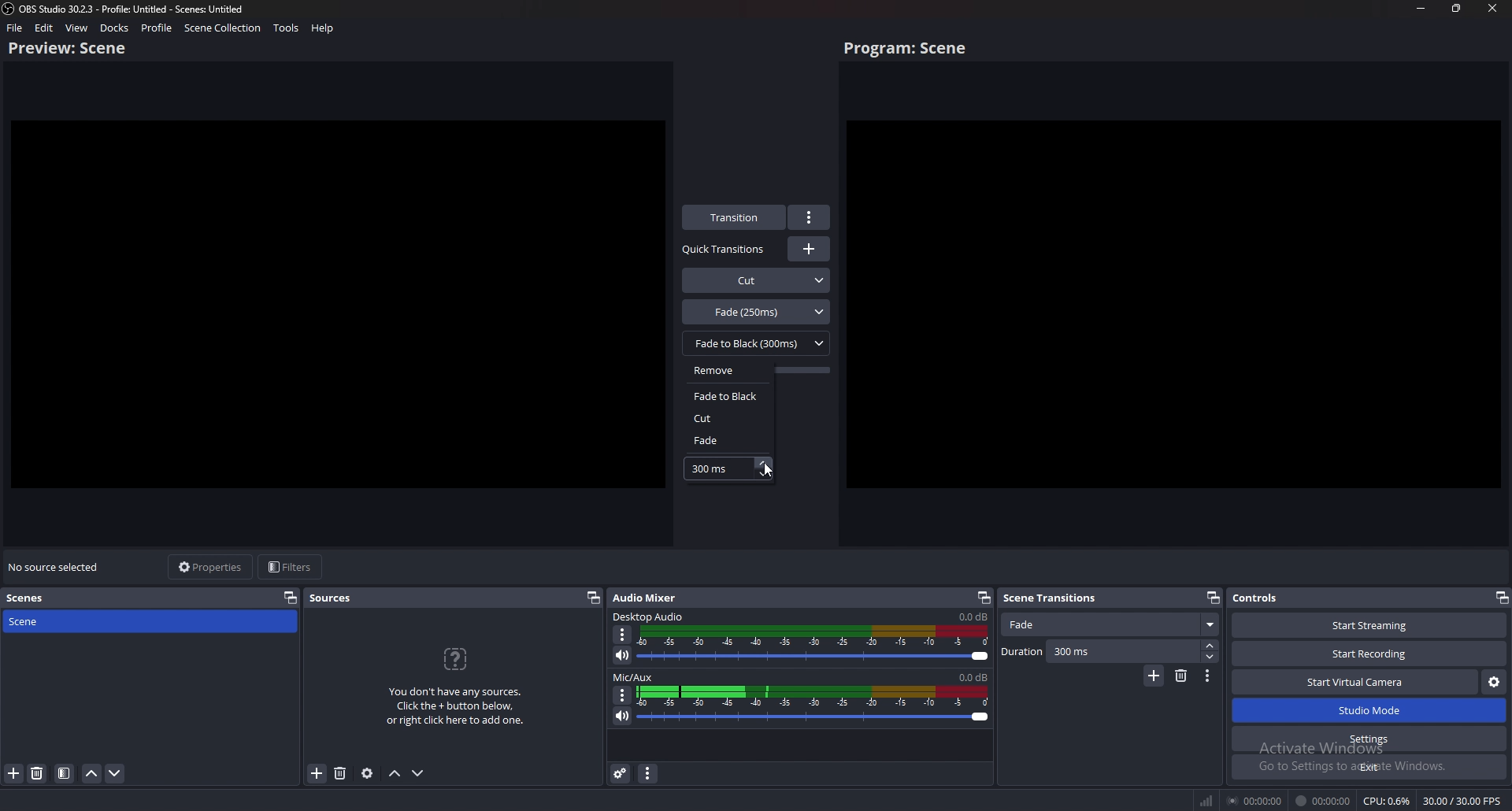 Image resolution: width=1512 pixels, height=811 pixels. What do you see at coordinates (421, 772) in the screenshot?
I see `Move sources down` at bounding box center [421, 772].